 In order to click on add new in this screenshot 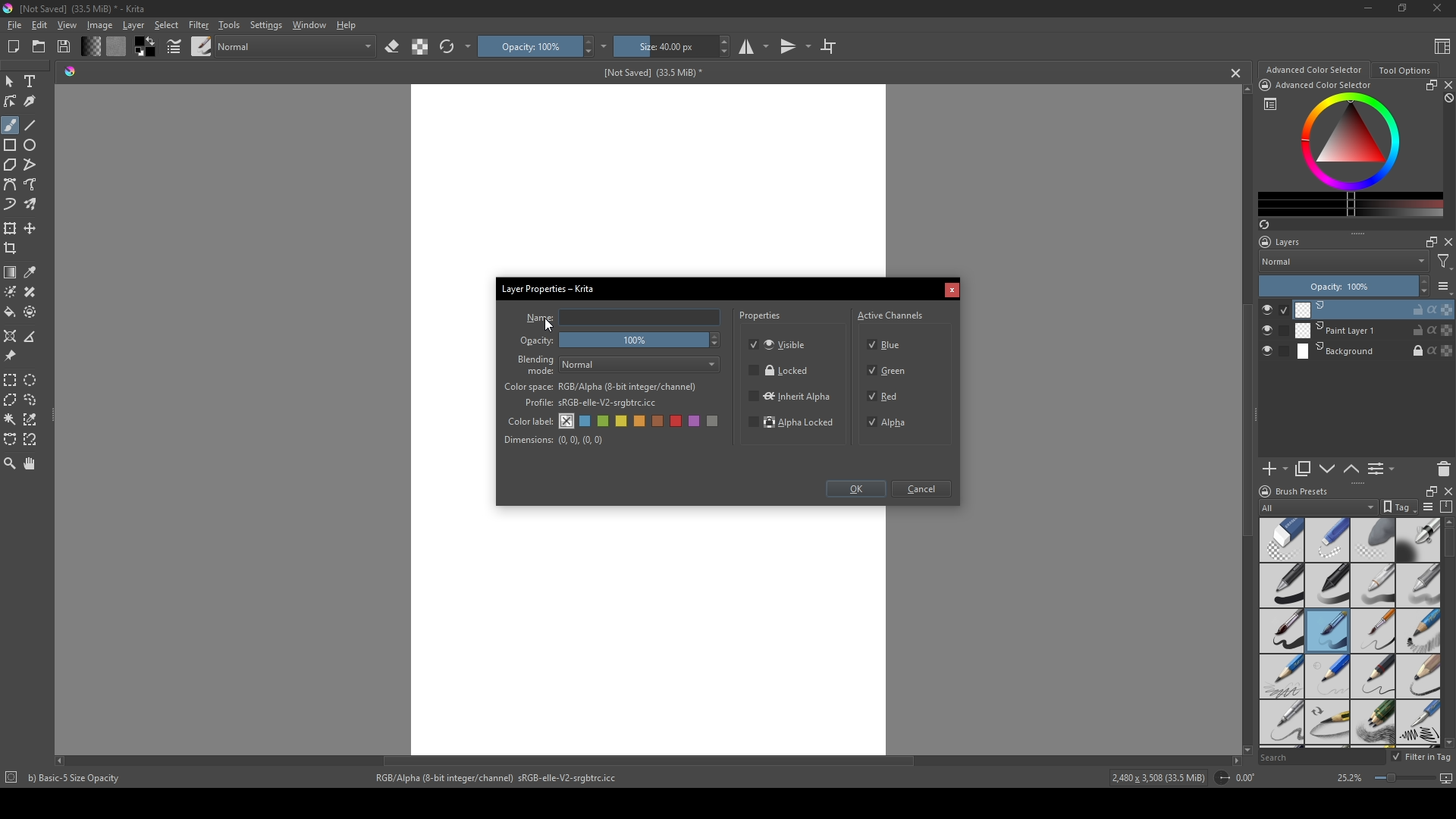, I will do `click(1274, 469)`.